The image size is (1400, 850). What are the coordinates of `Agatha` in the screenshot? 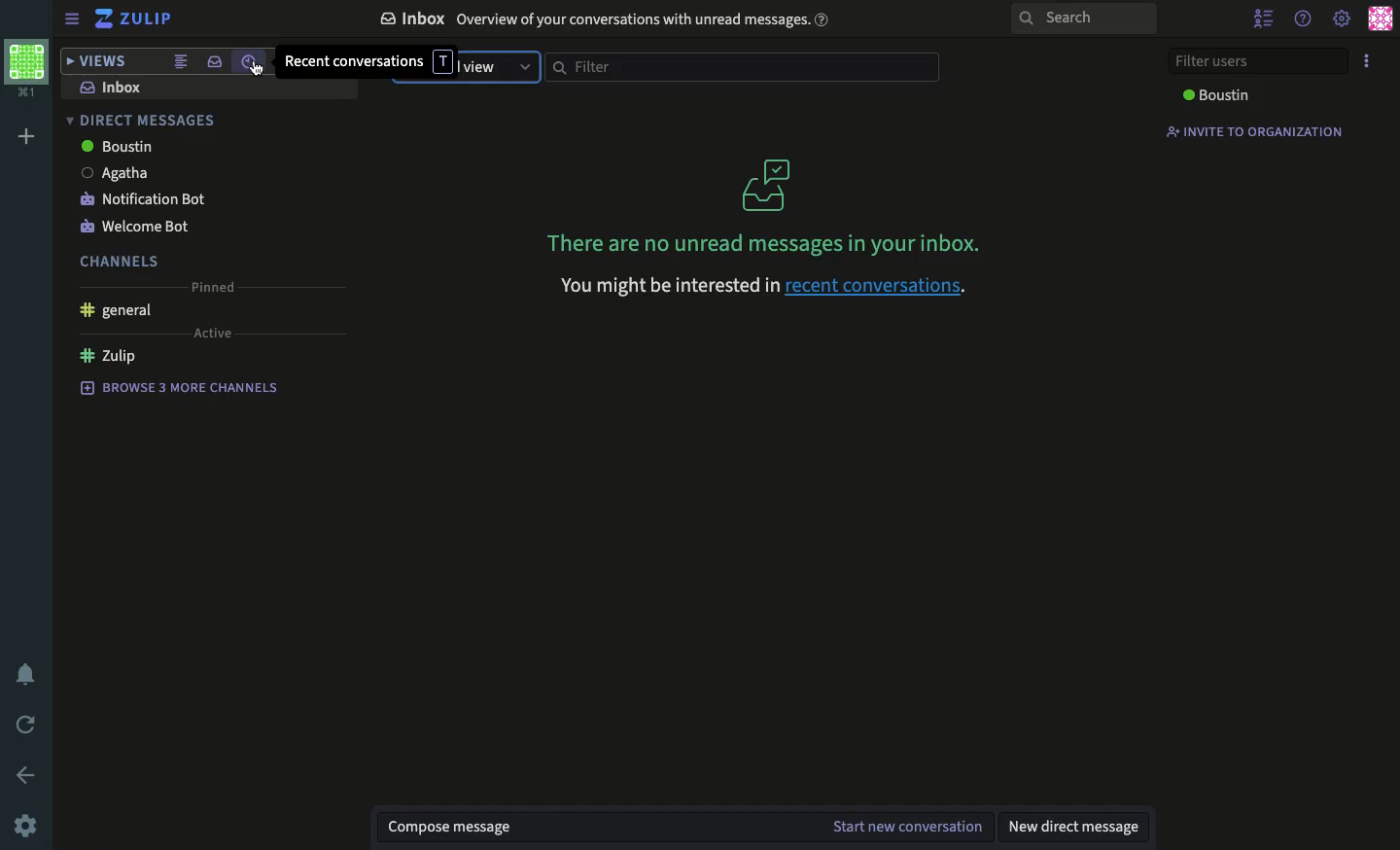 It's located at (111, 172).